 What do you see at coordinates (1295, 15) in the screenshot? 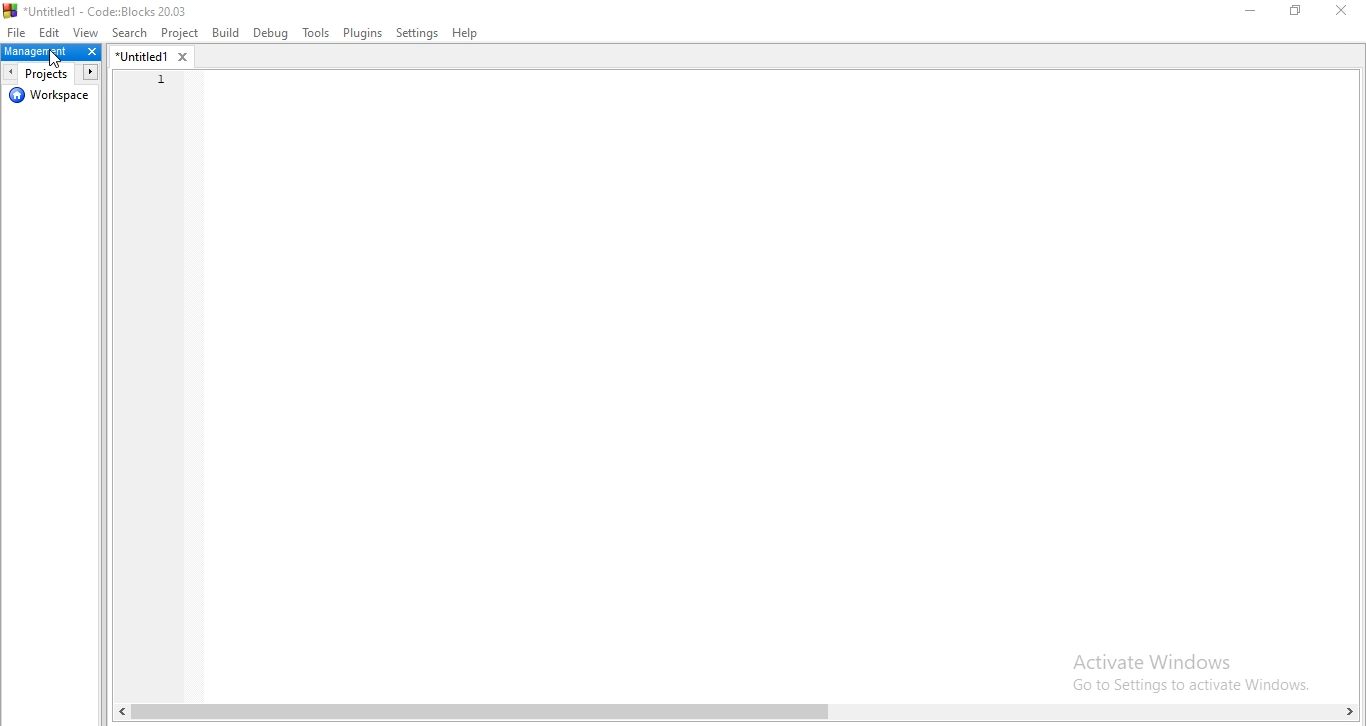
I see `Restore` at bounding box center [1295, 15].